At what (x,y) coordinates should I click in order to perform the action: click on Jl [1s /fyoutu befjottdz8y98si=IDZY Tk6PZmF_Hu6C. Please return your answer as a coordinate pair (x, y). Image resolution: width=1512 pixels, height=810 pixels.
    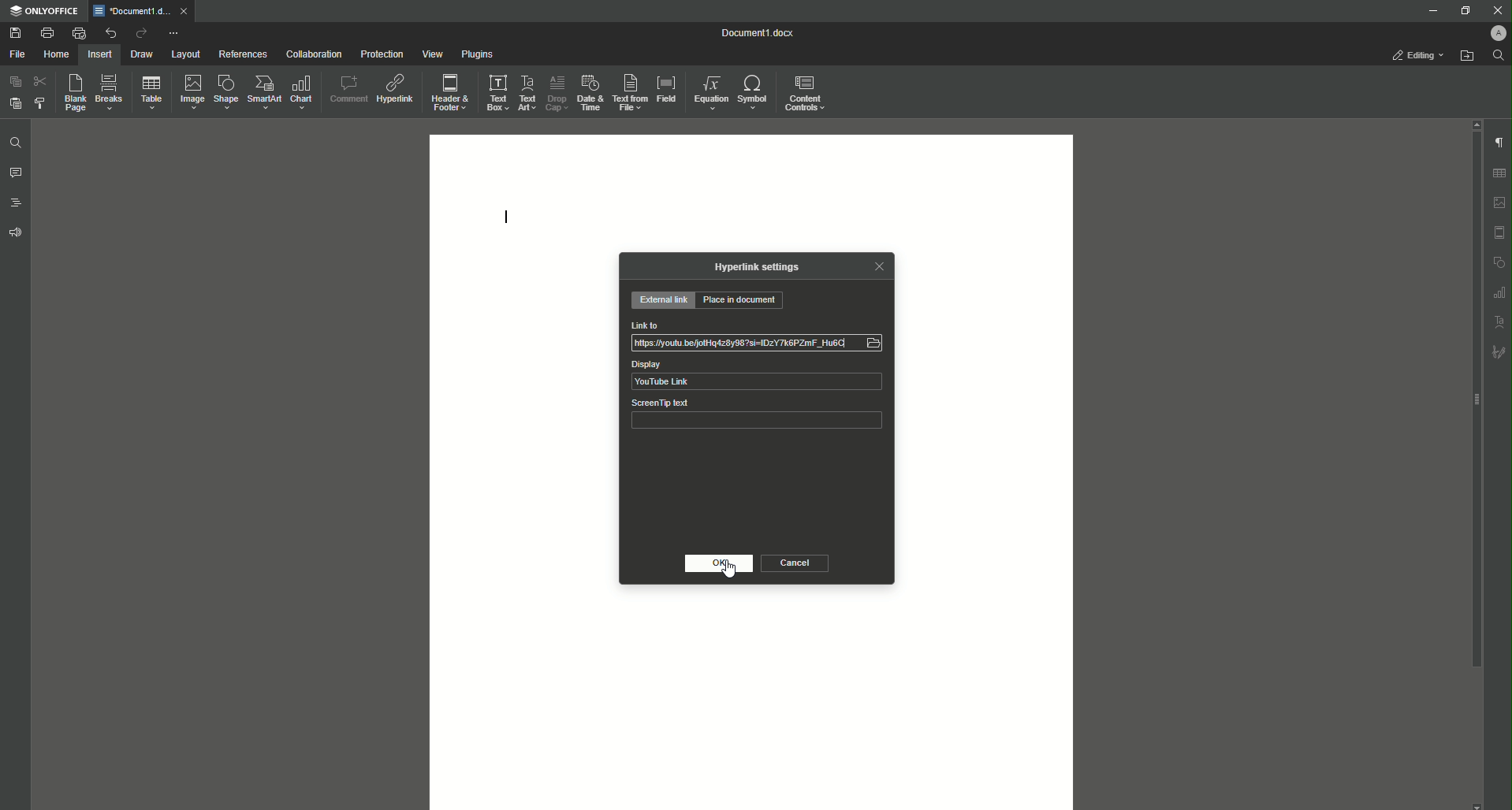
    Looking at the image, I should click on (754, 344).